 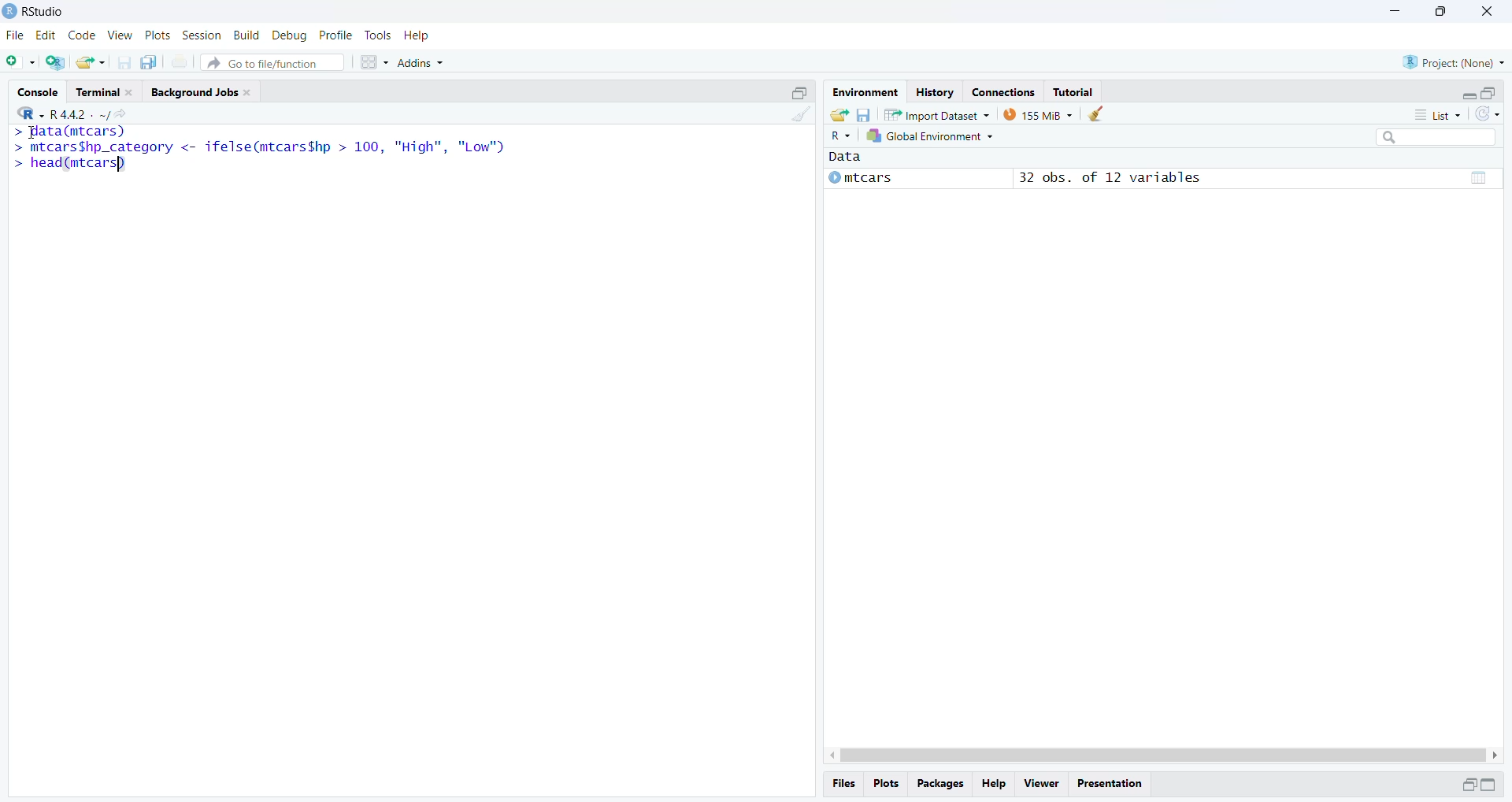 What do you see at coordinates (26, 112) in the screenshot?
I see `R` at bounding box center [26, 112].